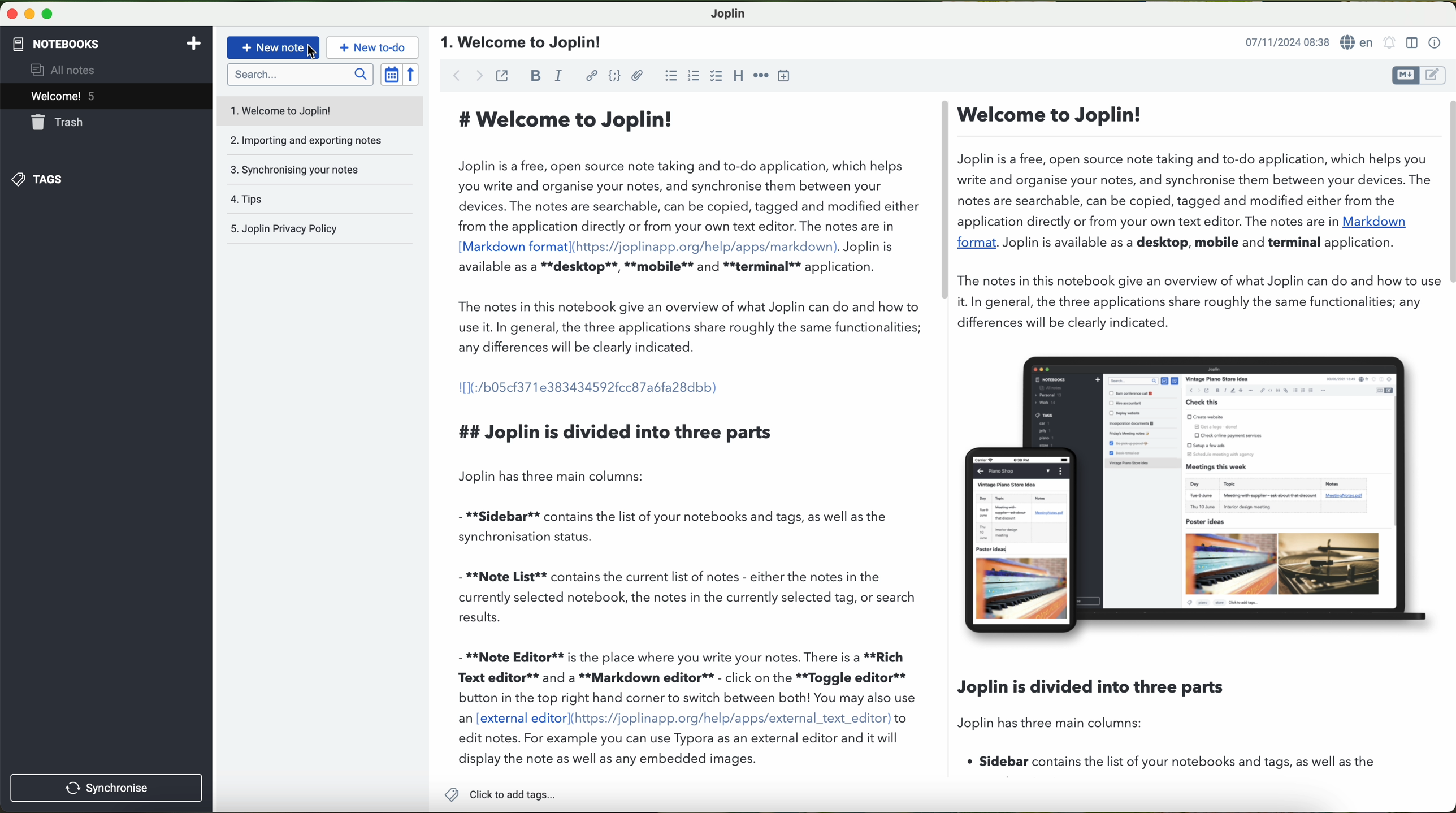  What do you see at coordinates (950, 434) in the screenshot?
I see `workspace` at bounding box center [950, 434].